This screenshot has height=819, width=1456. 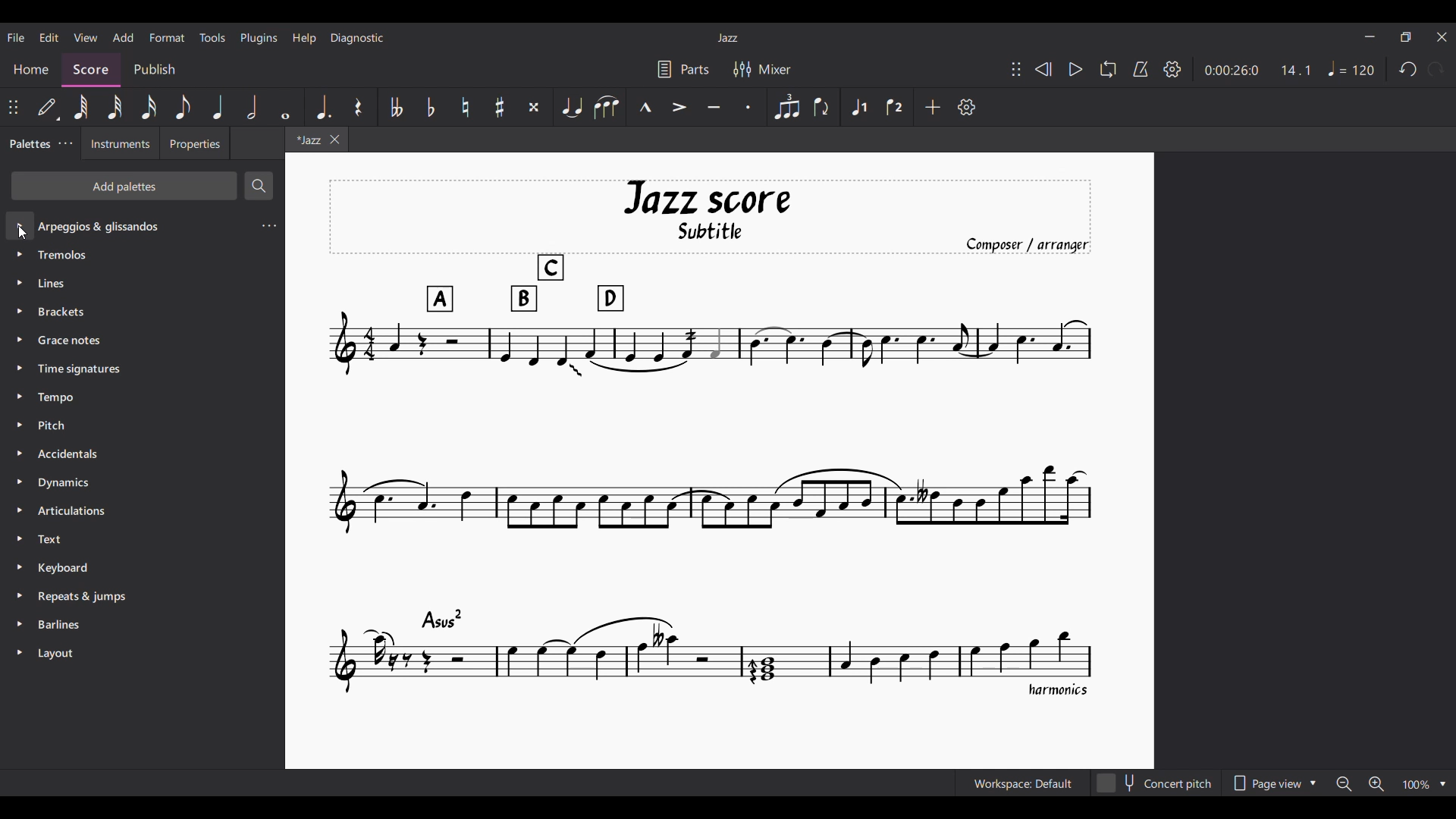 I want to click on Rewind, so click(x=1043, y=69).